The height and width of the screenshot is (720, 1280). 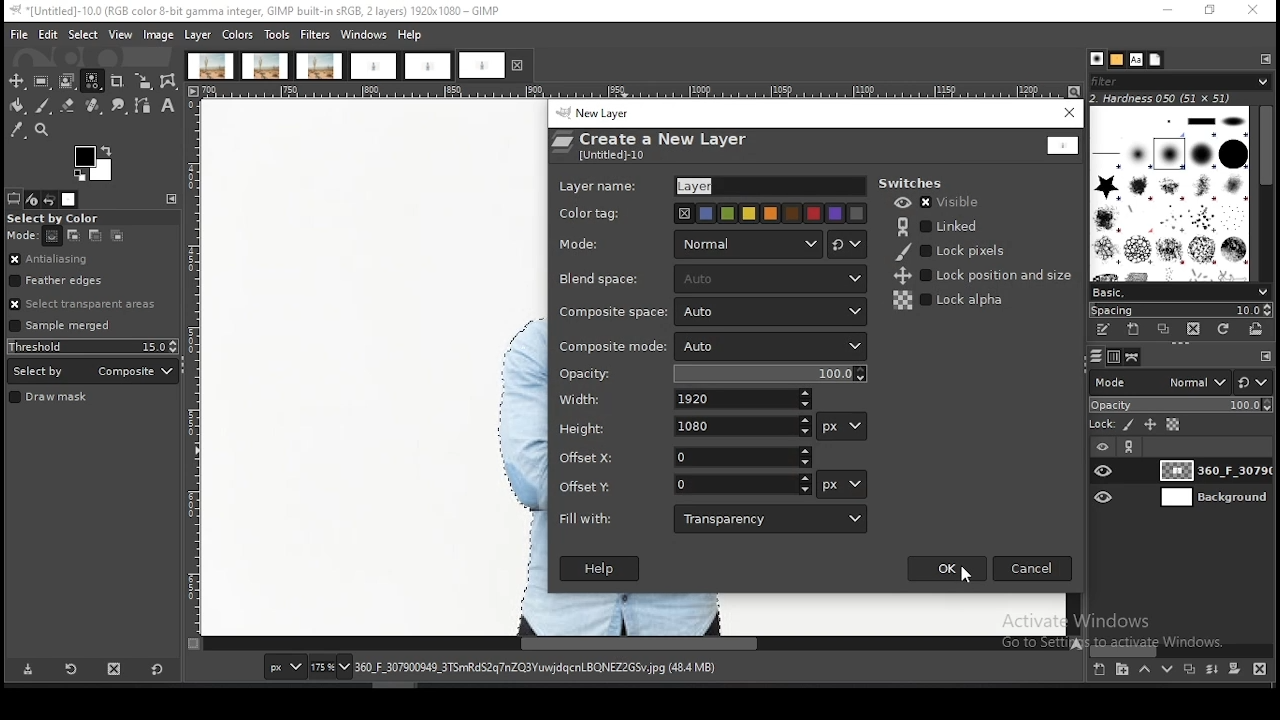 What do you see at coordinates (16, 130) in the screenshot?
I see `color picker tool` at bounding box center [16, 130].